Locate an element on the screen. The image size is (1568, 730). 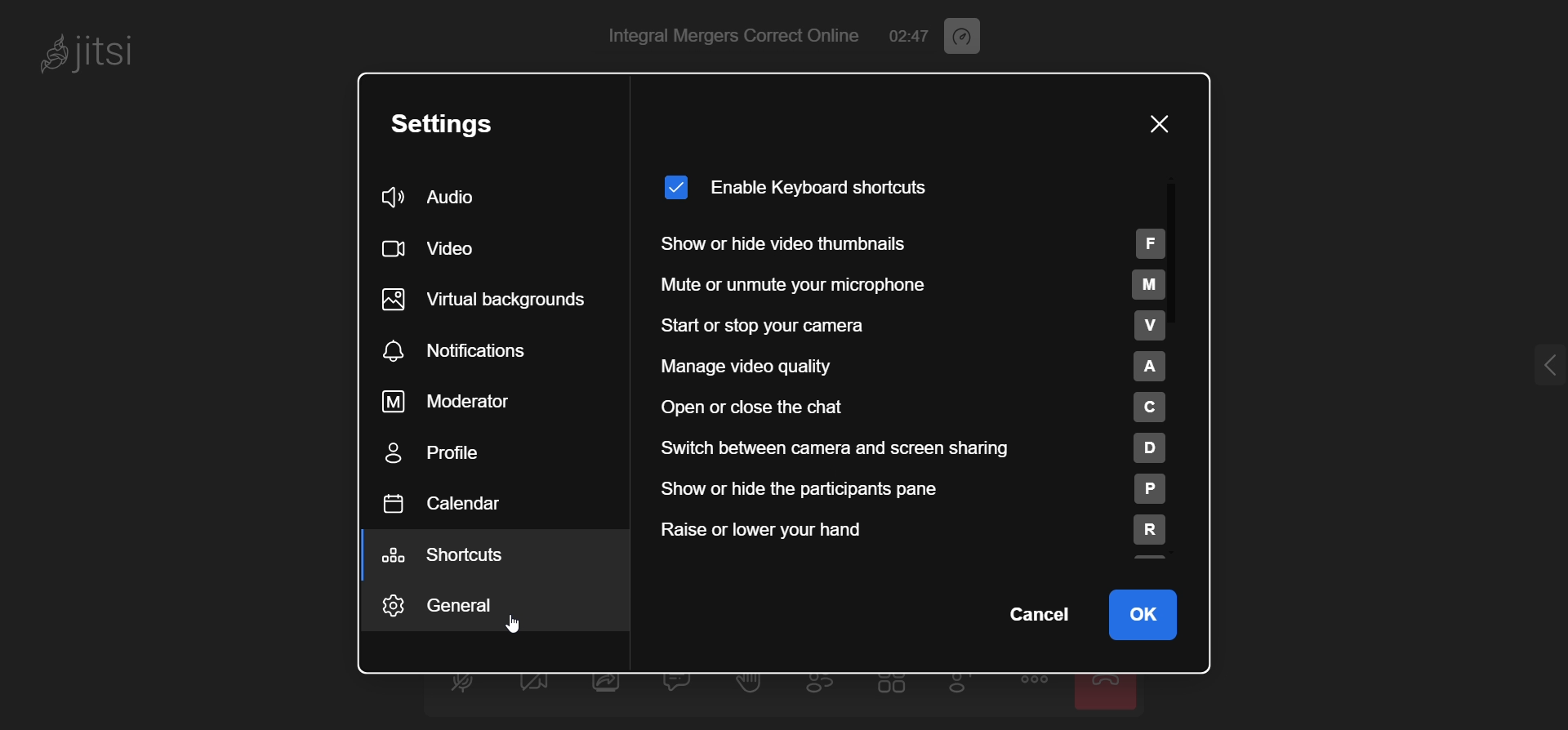
Integral Mergers Correct Online is located at coordinates (729, 36).